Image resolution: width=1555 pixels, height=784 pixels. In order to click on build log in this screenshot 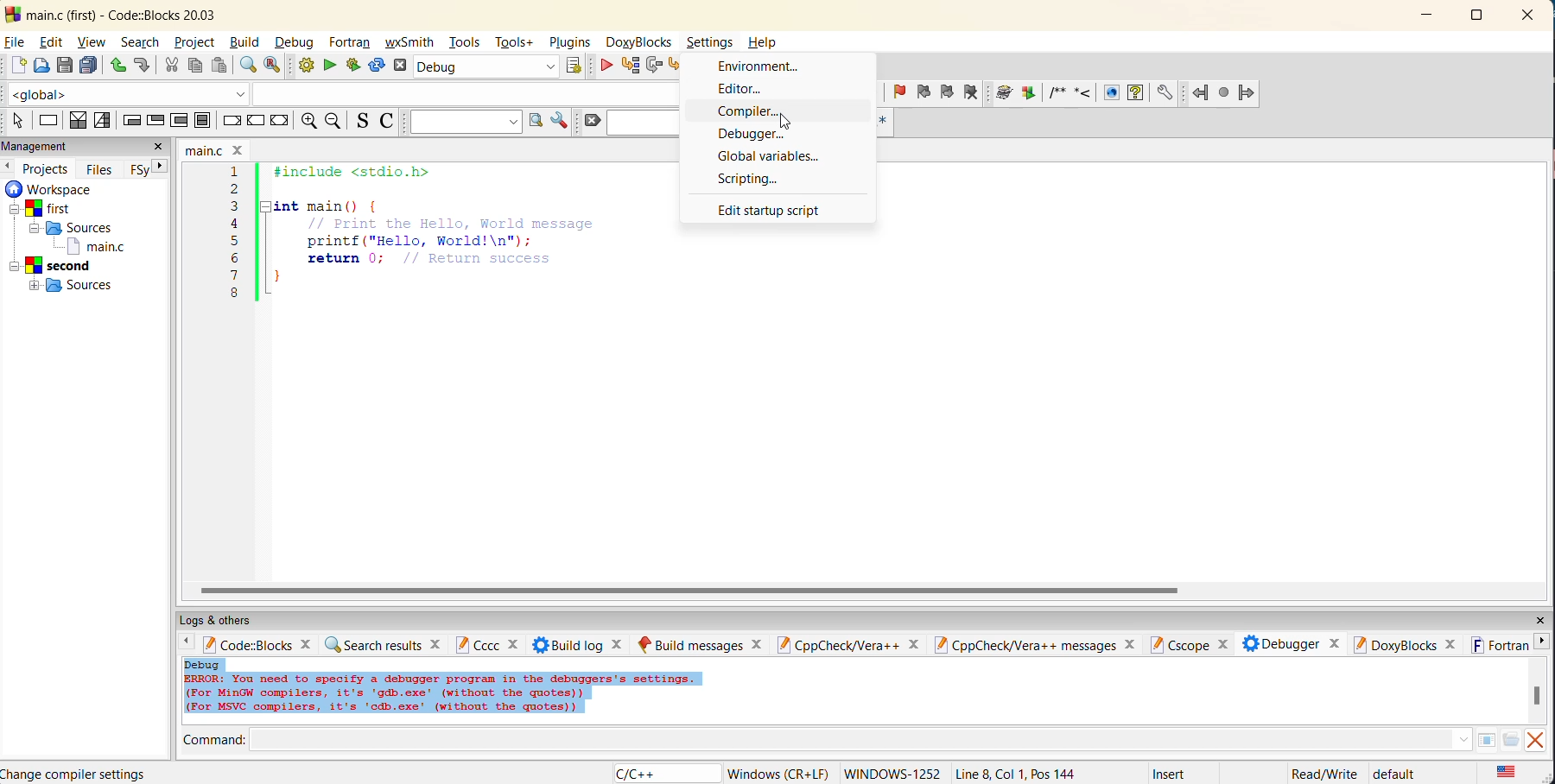, I will do `click(581, 643)`.